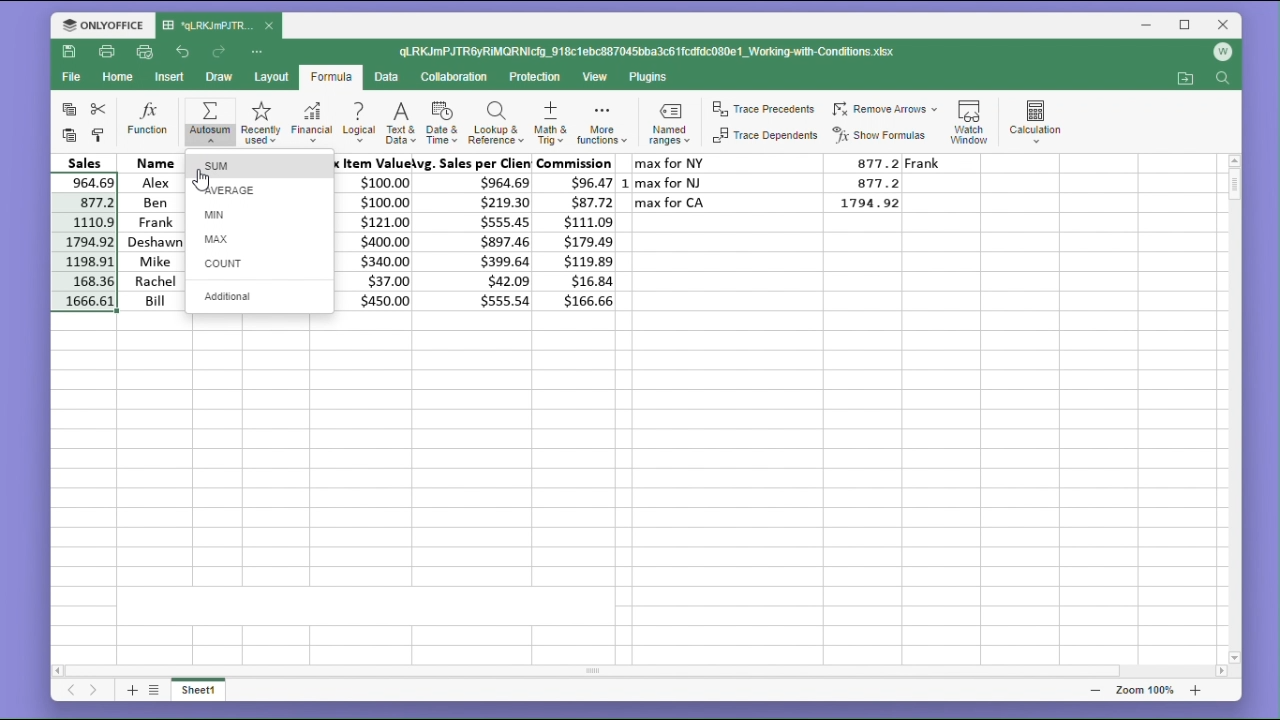 This screenshot has width=1280, height=720. I want to click on cursor, so click(205, 182).